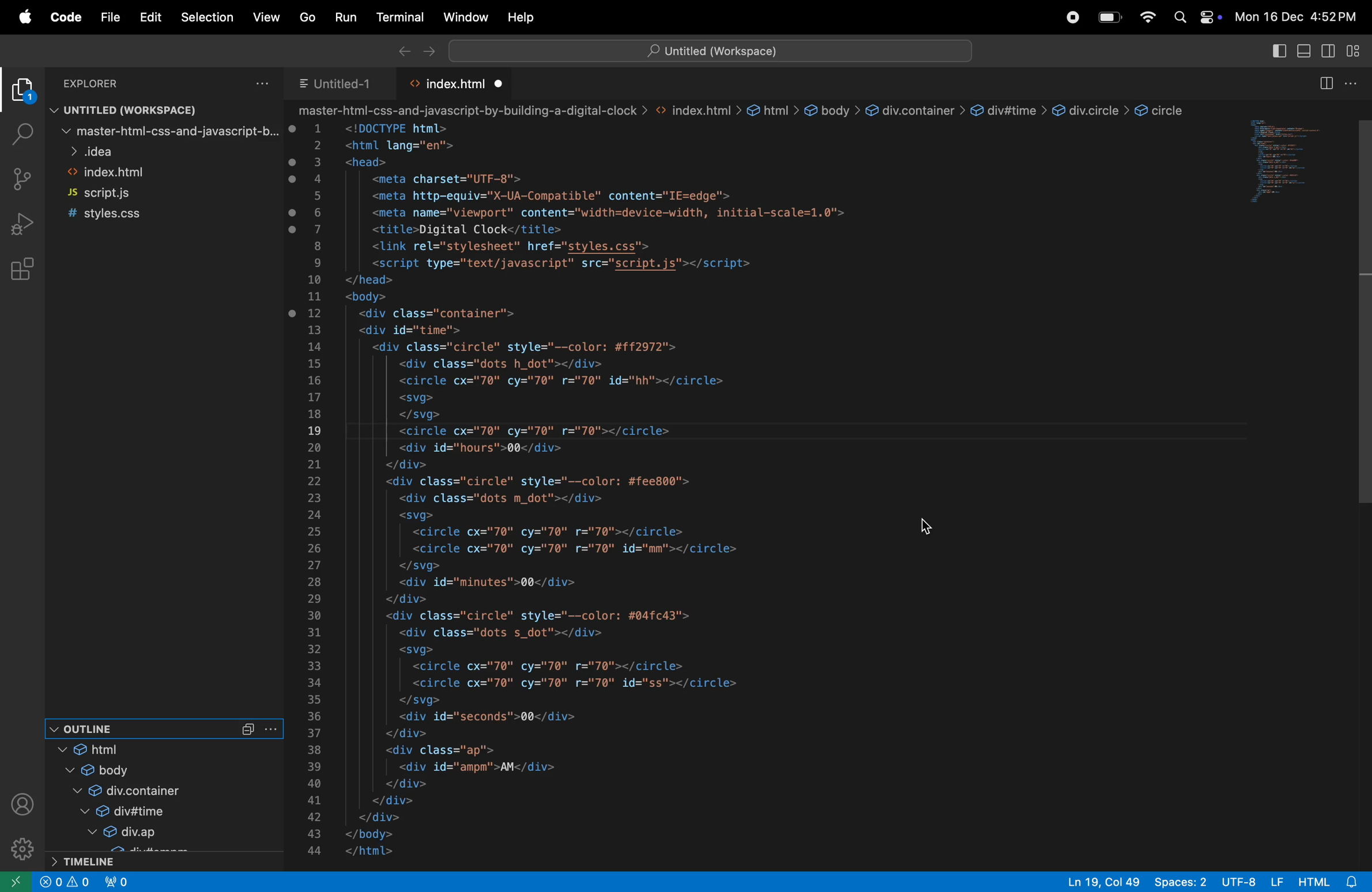 The height and width of the screenshot is (892, 1372). What do you see at coordinates (24, 179) in the screenshot?
I see `source control` at bounding box center [24, 179].